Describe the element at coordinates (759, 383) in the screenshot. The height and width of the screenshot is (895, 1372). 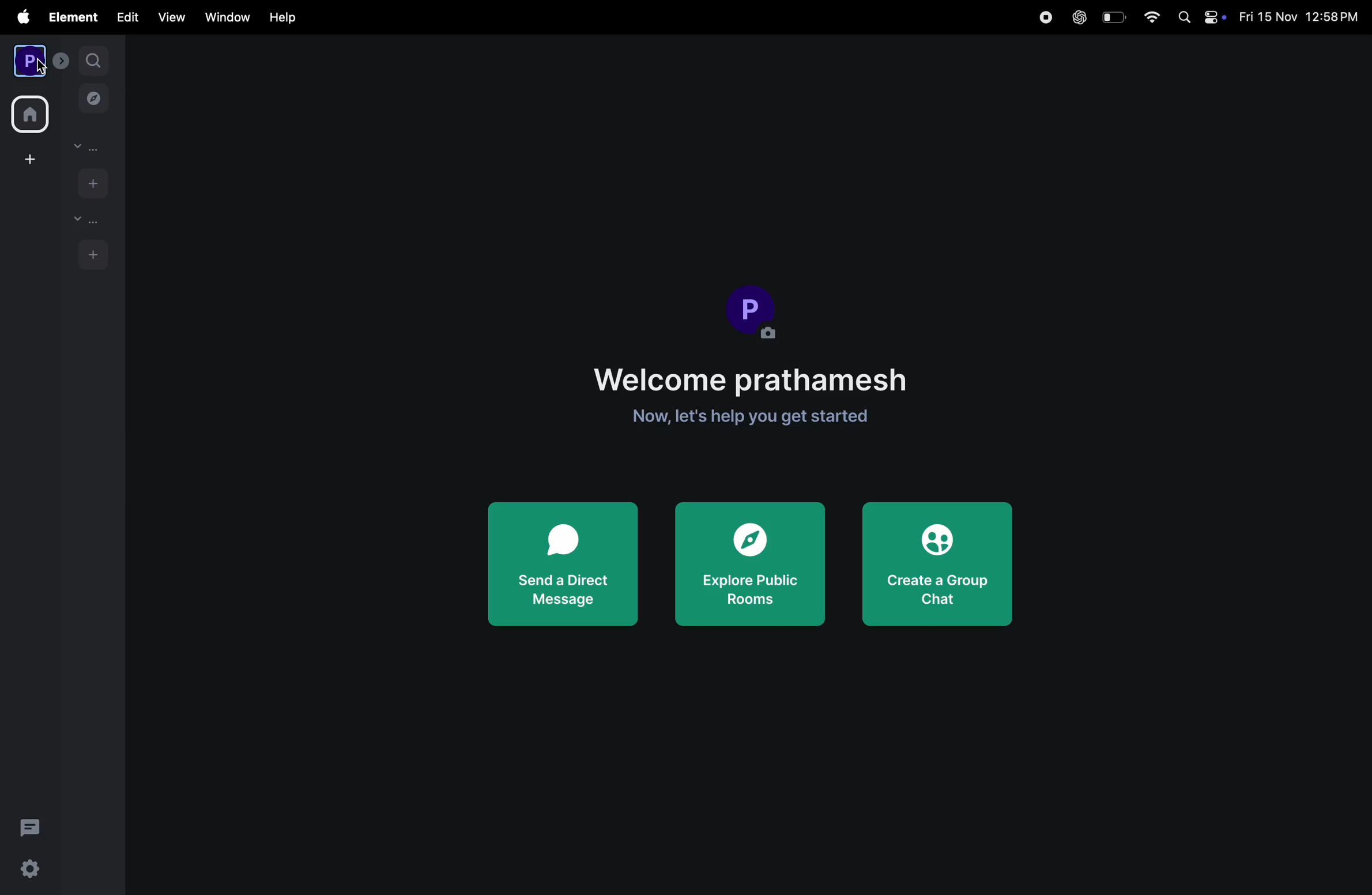
I see `Welcome note` at that location.